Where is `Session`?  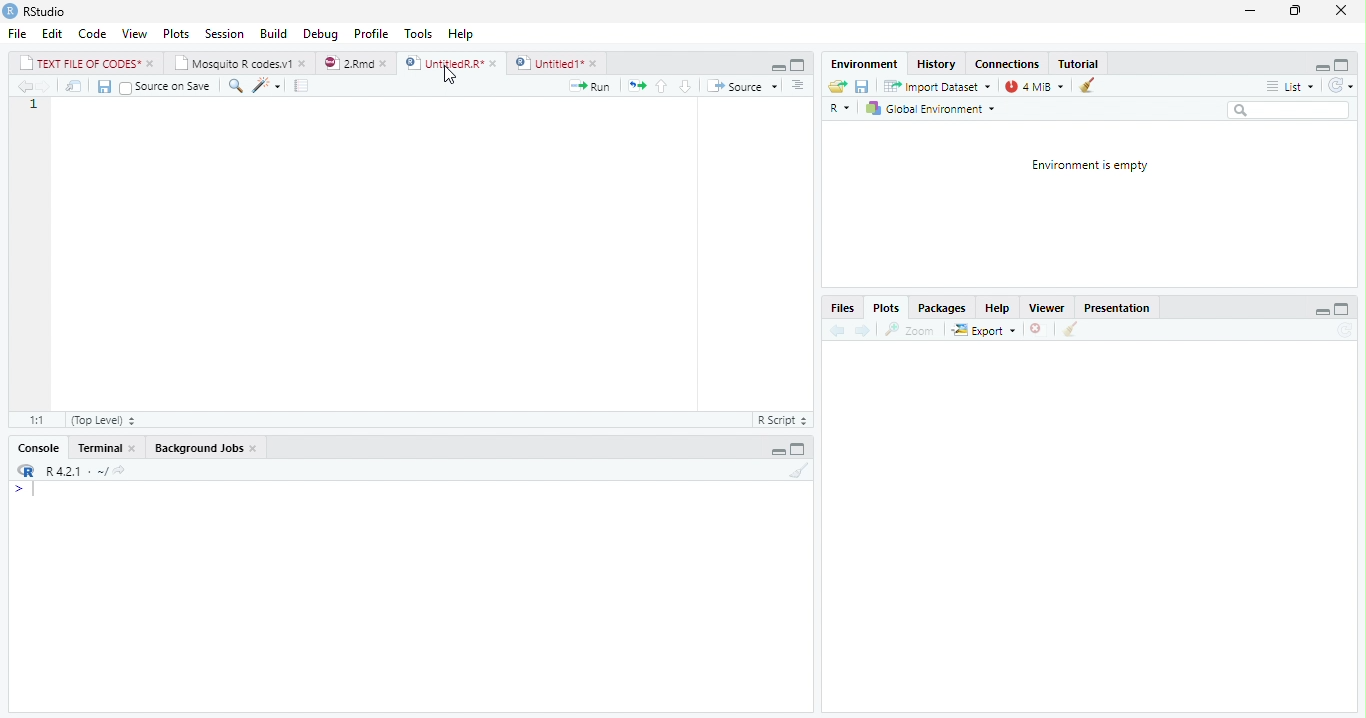 Session is located at coordinates (226, 36).